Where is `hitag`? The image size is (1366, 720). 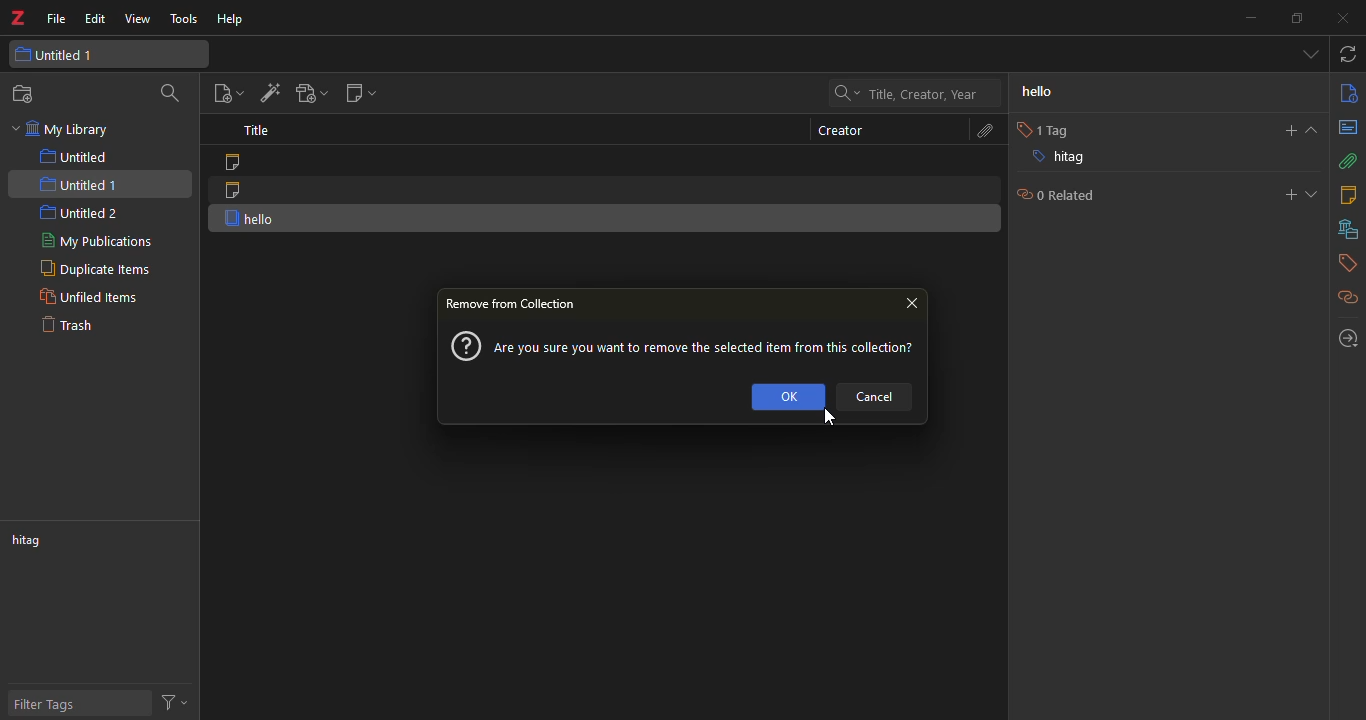
hitag is located at coordinates (33, 542).